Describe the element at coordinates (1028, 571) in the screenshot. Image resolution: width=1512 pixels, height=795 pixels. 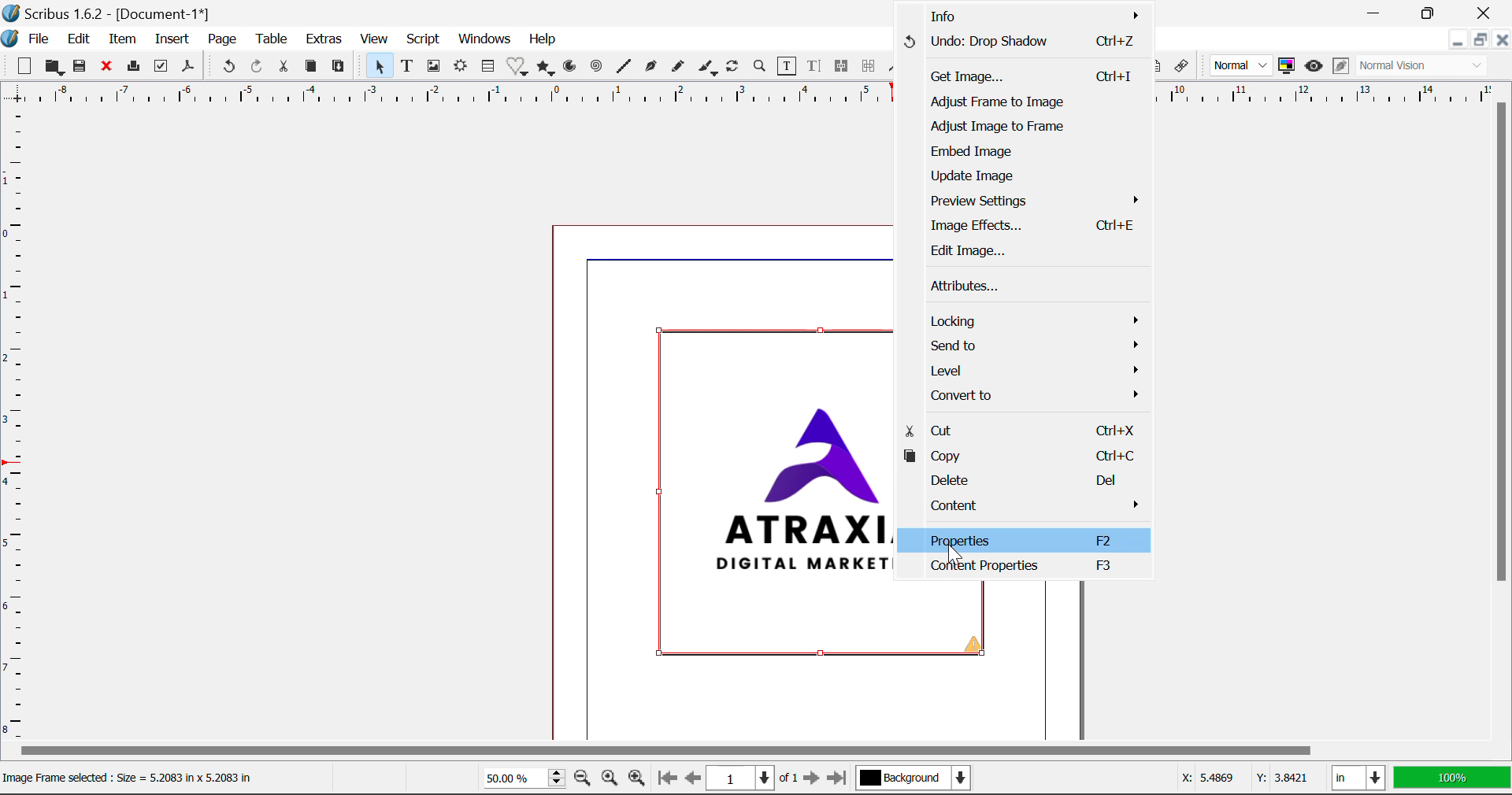
I see `` at that location.